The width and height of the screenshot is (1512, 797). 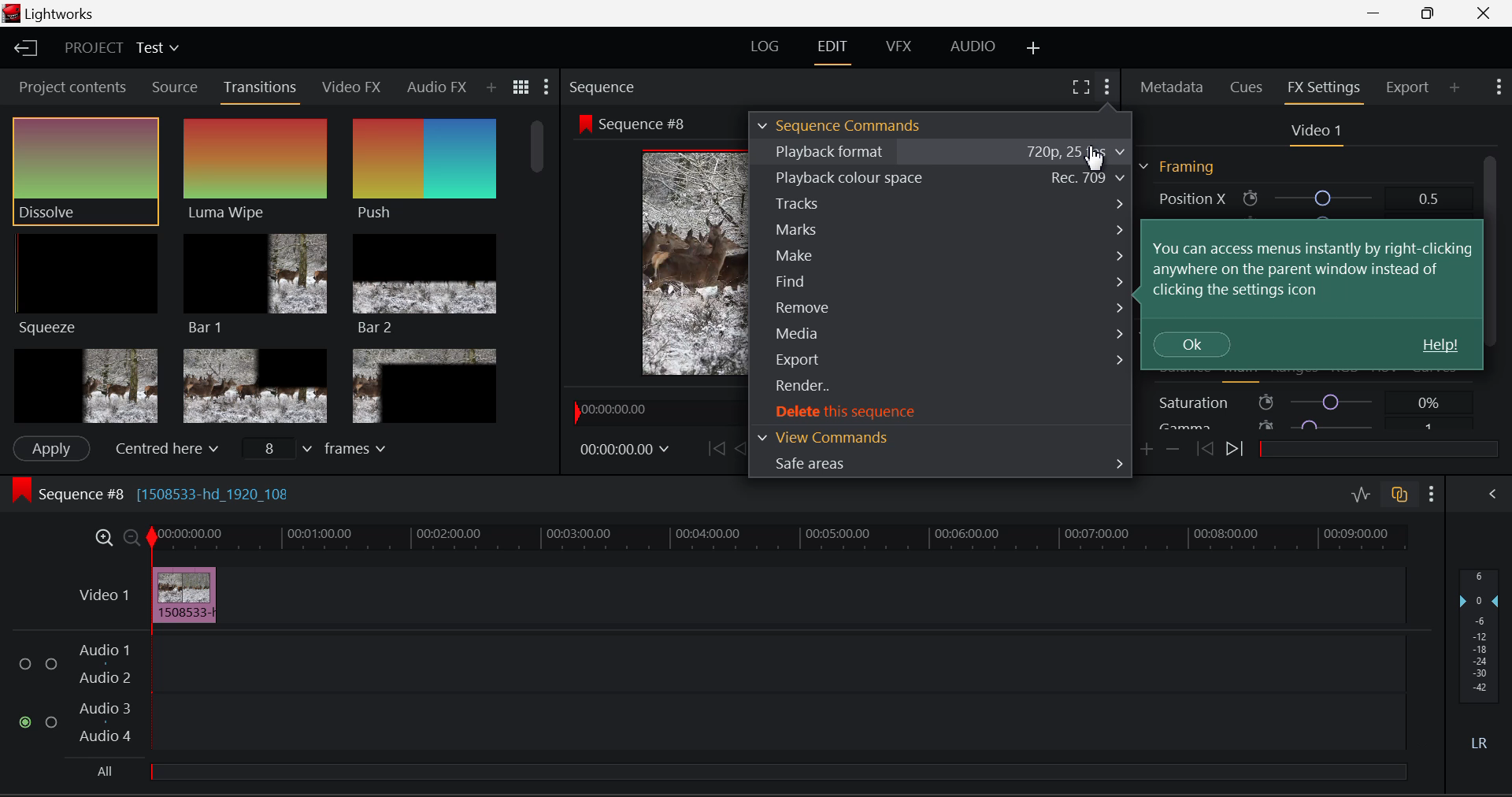 I want to click on Export, so click(x=941, y=358).